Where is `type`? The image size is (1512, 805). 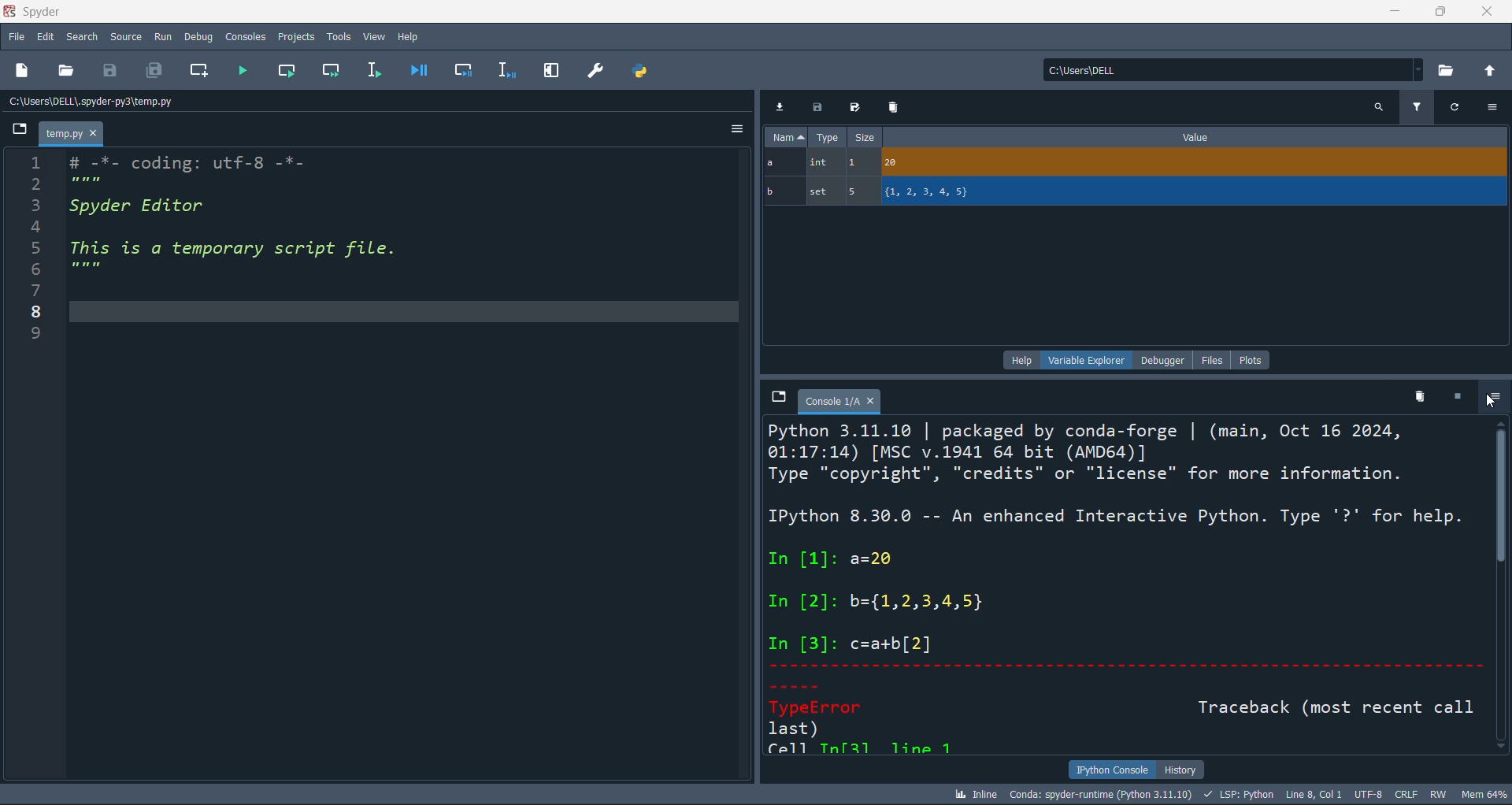
type is located at coordinates (828, 139).